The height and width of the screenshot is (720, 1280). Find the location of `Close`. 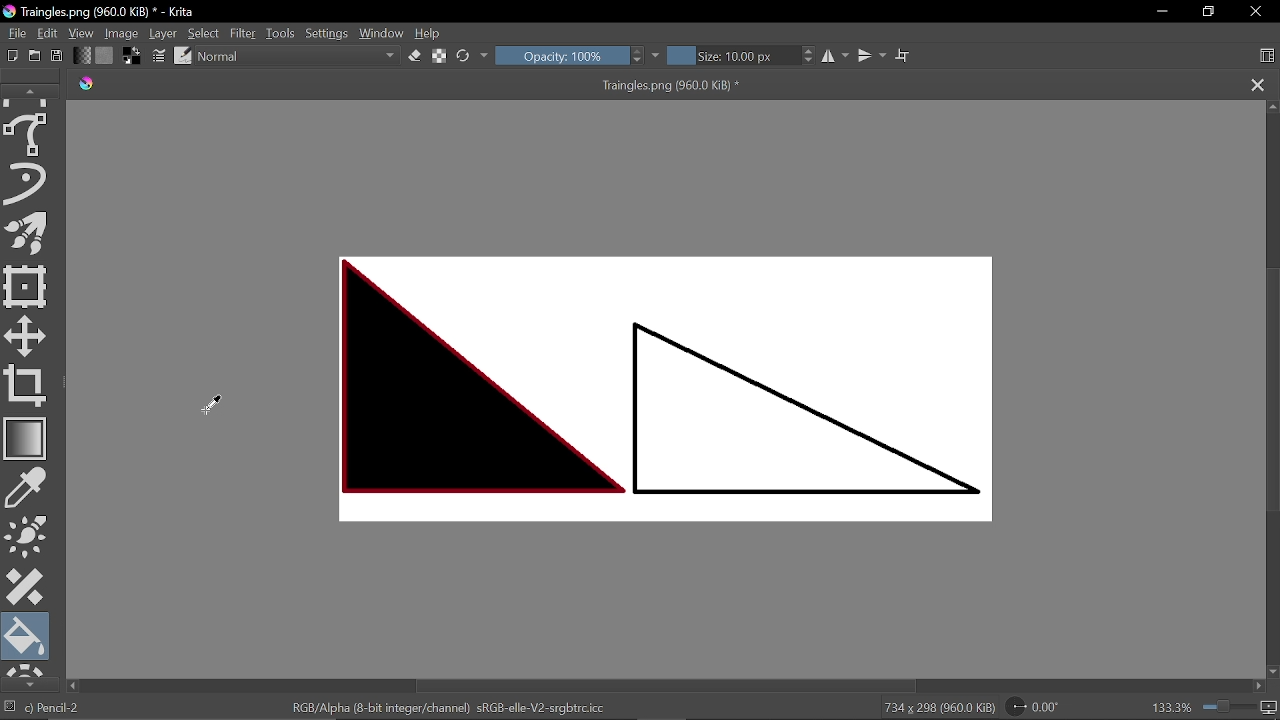

Close is located at coordinates (1255, 13).